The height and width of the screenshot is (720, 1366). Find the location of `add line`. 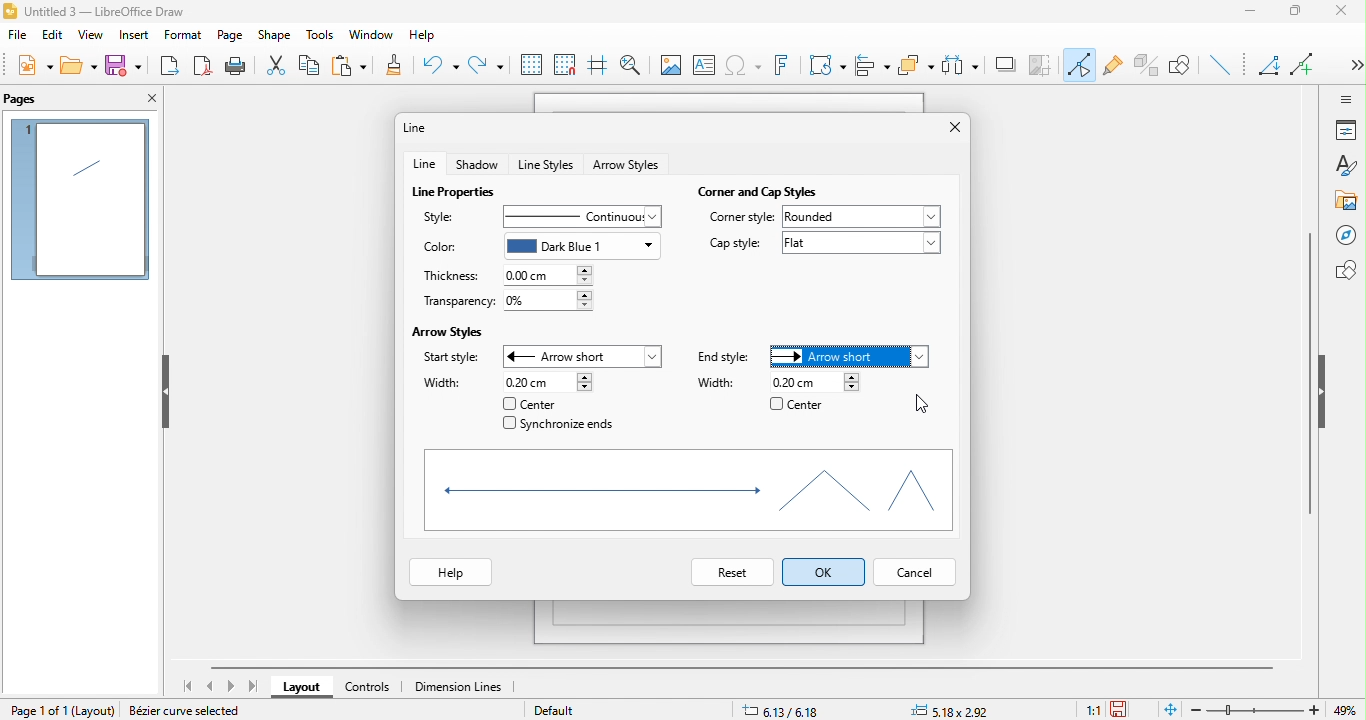

add line is located at coordinates (1307, 62).